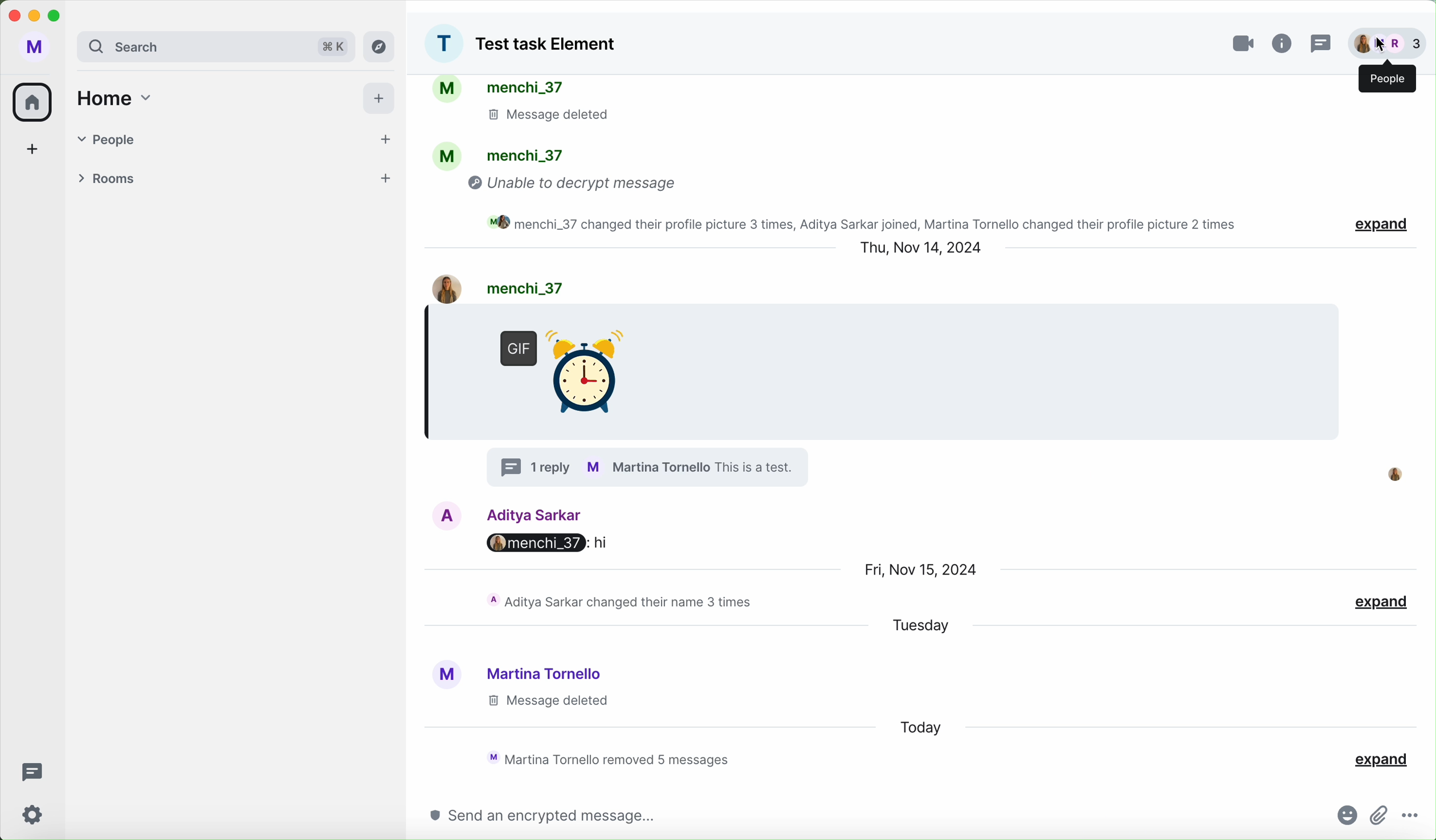  Describe the element at coordinates (862, 222) in the screenshot. I see `activity chat` at that location.